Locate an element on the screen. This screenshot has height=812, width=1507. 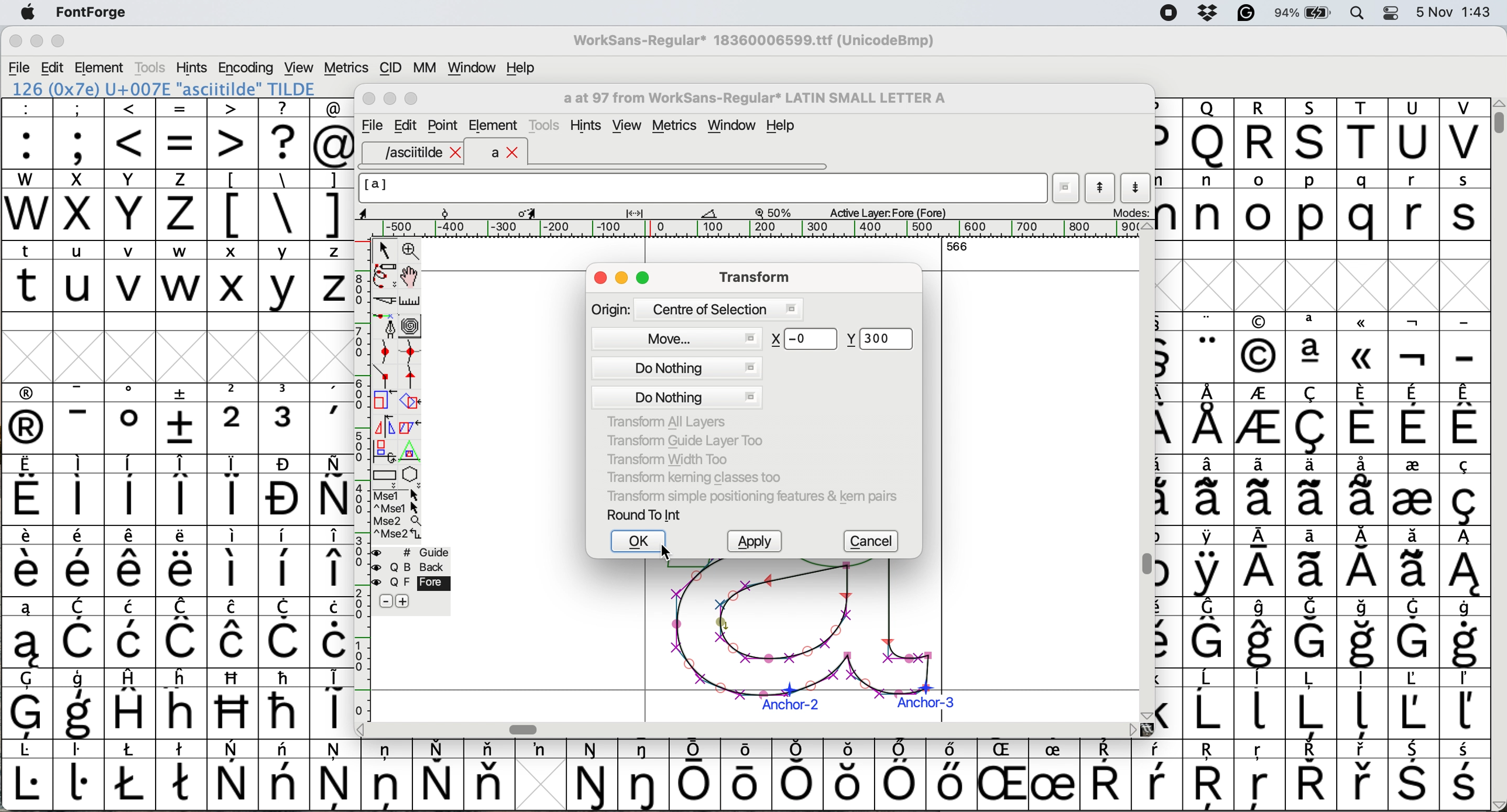
symbol is located at coordinates (1105, 776).